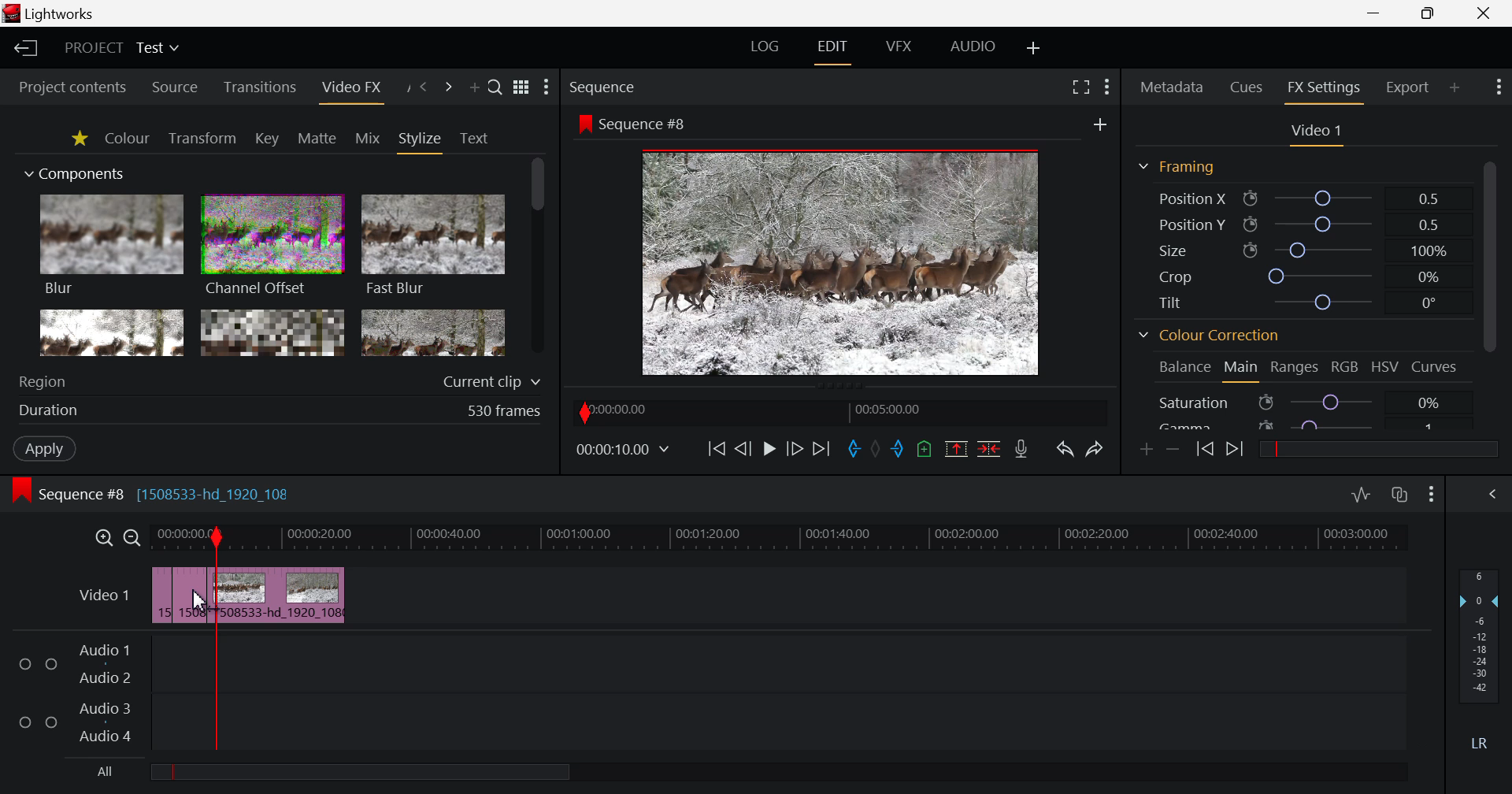 The image size is (1512, 794). Describe the element at coordinates (1376, 13) in the screenshot. I see `Restore Down` at that location.